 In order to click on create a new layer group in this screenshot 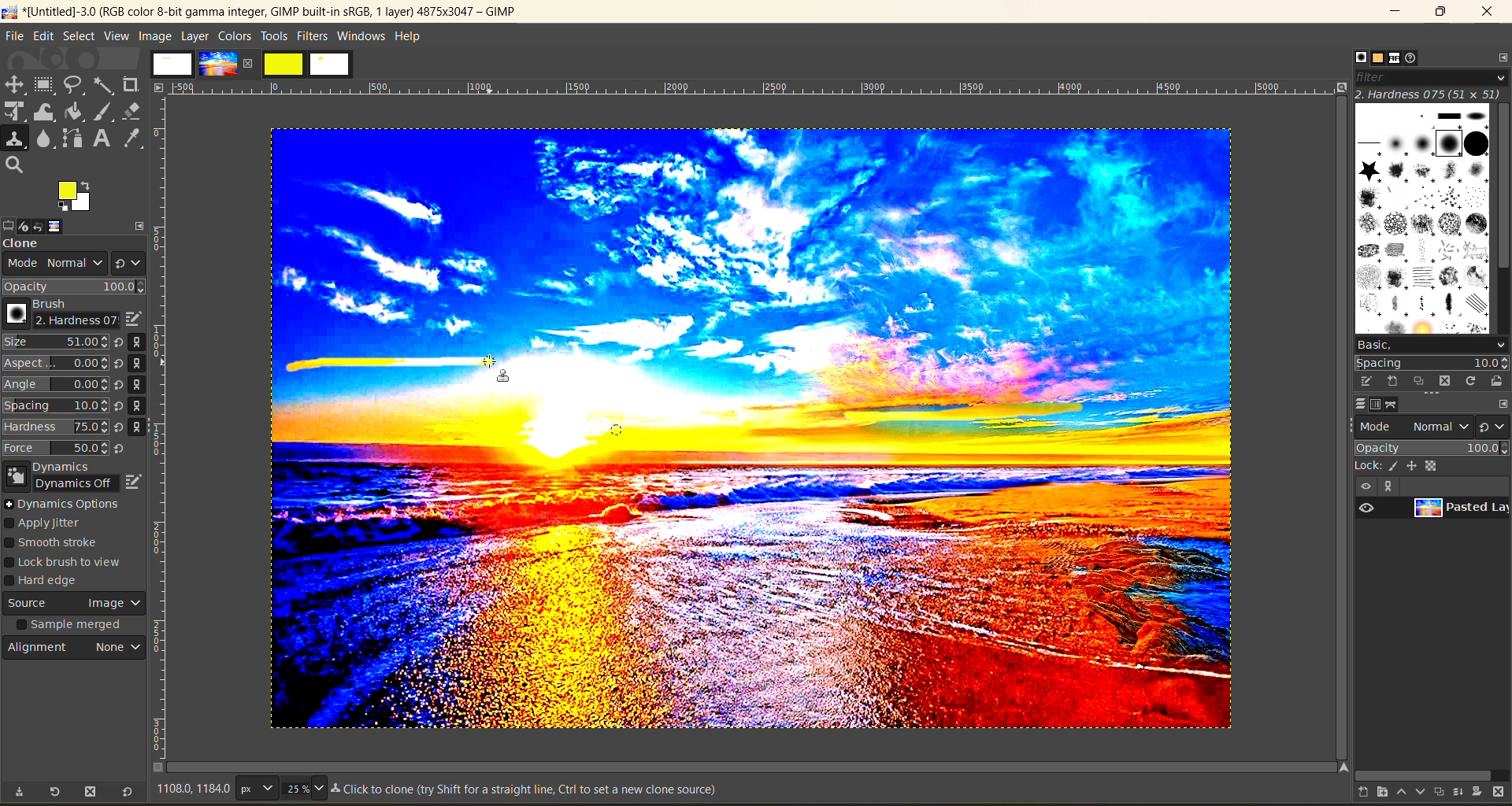, I will do `click(1374, 793)`.